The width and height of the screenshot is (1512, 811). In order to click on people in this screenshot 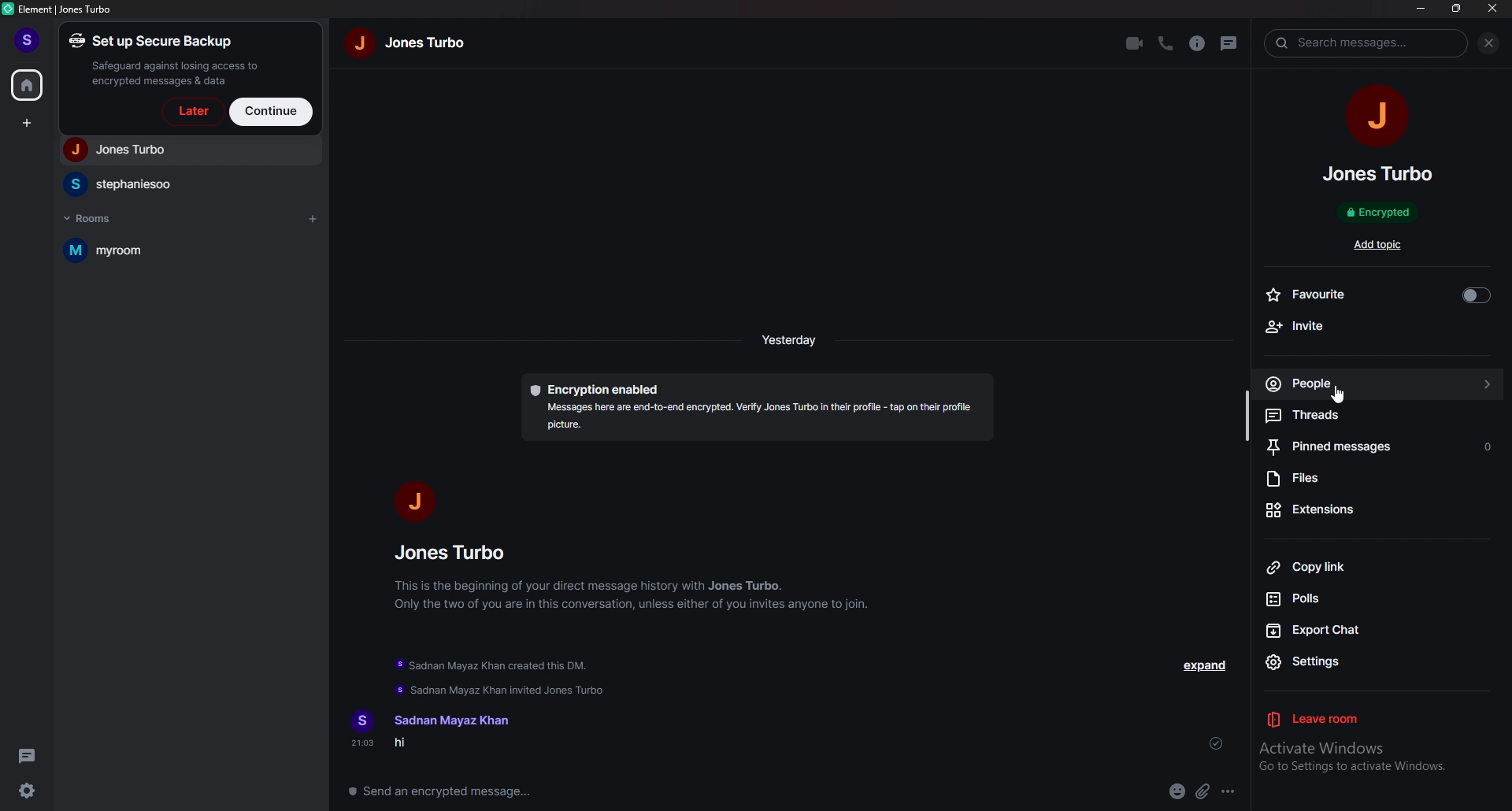, I will do `click(455, 552)`.